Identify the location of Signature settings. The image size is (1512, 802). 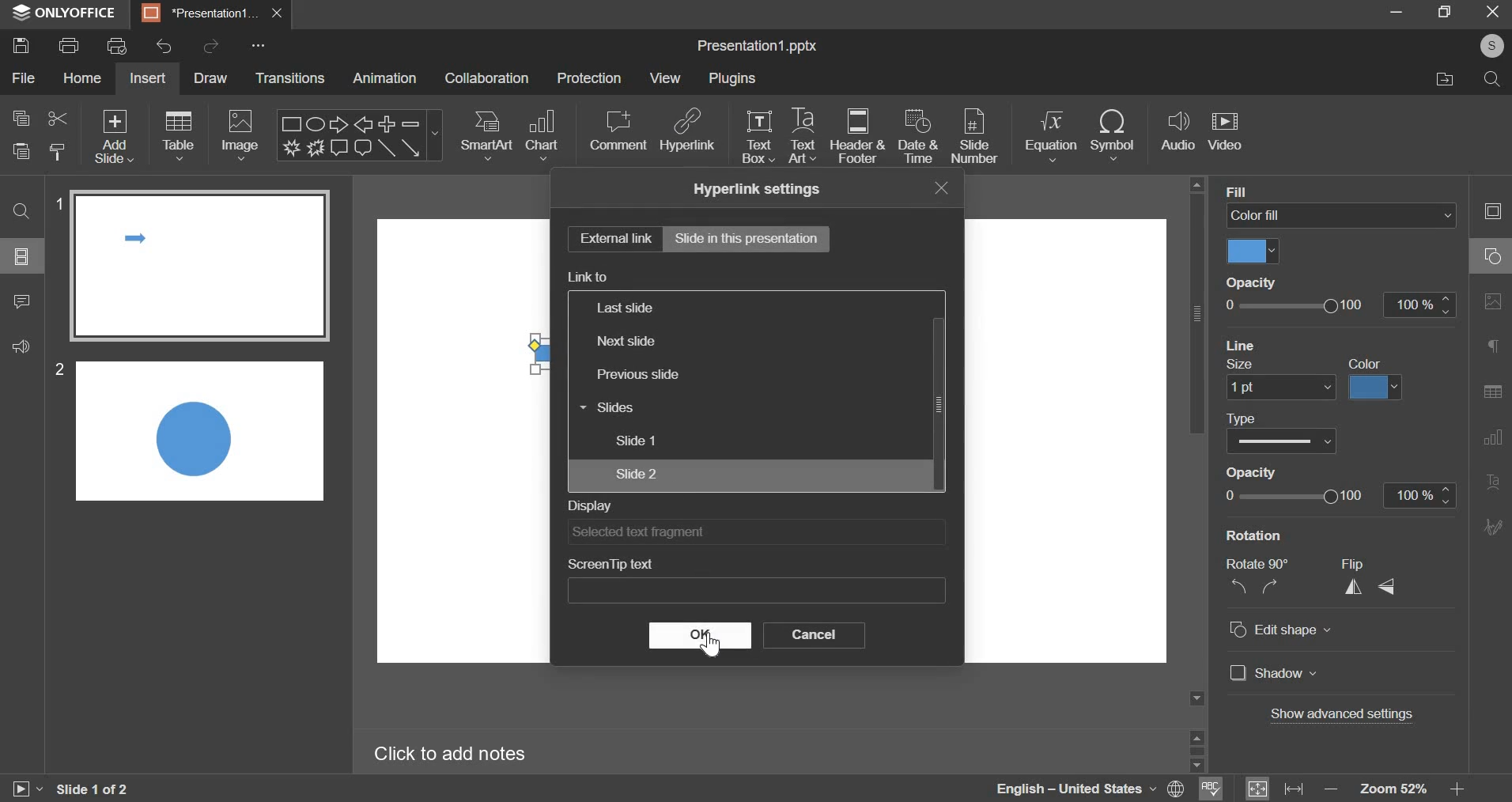
(1495, 526).